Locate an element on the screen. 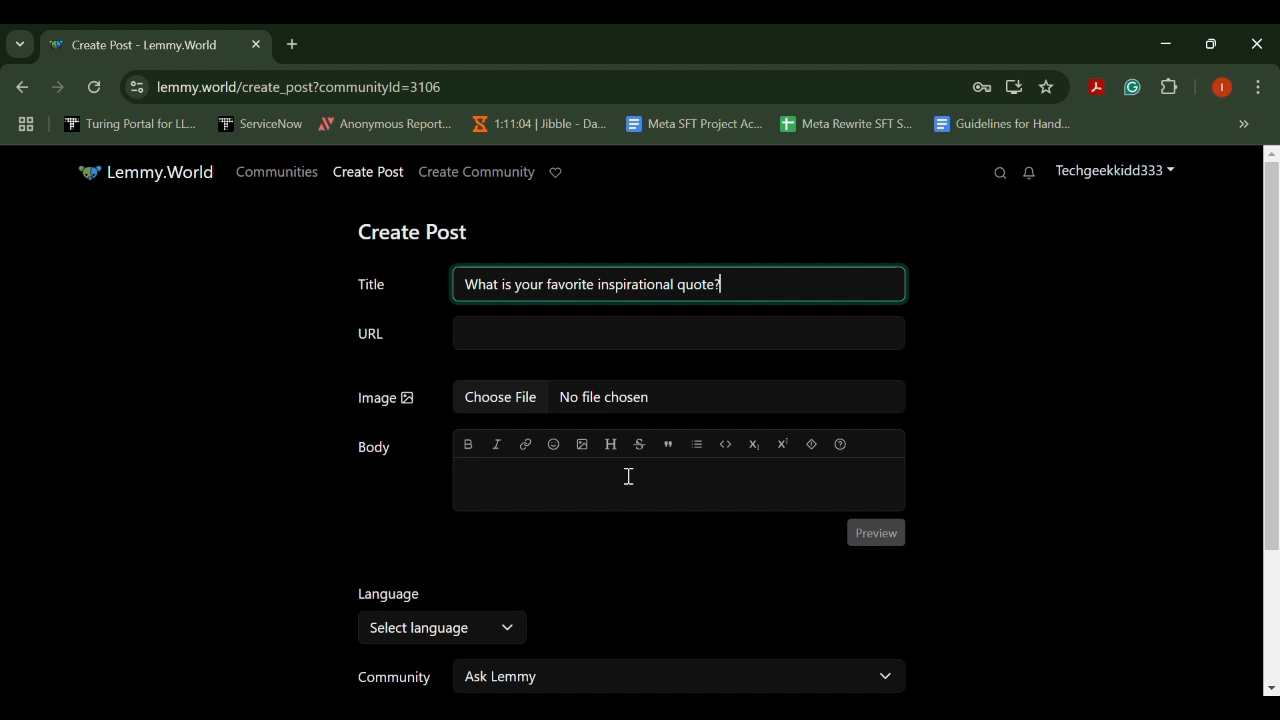 The image size is (1280, 720). Community is located at coordinates (390, 678).